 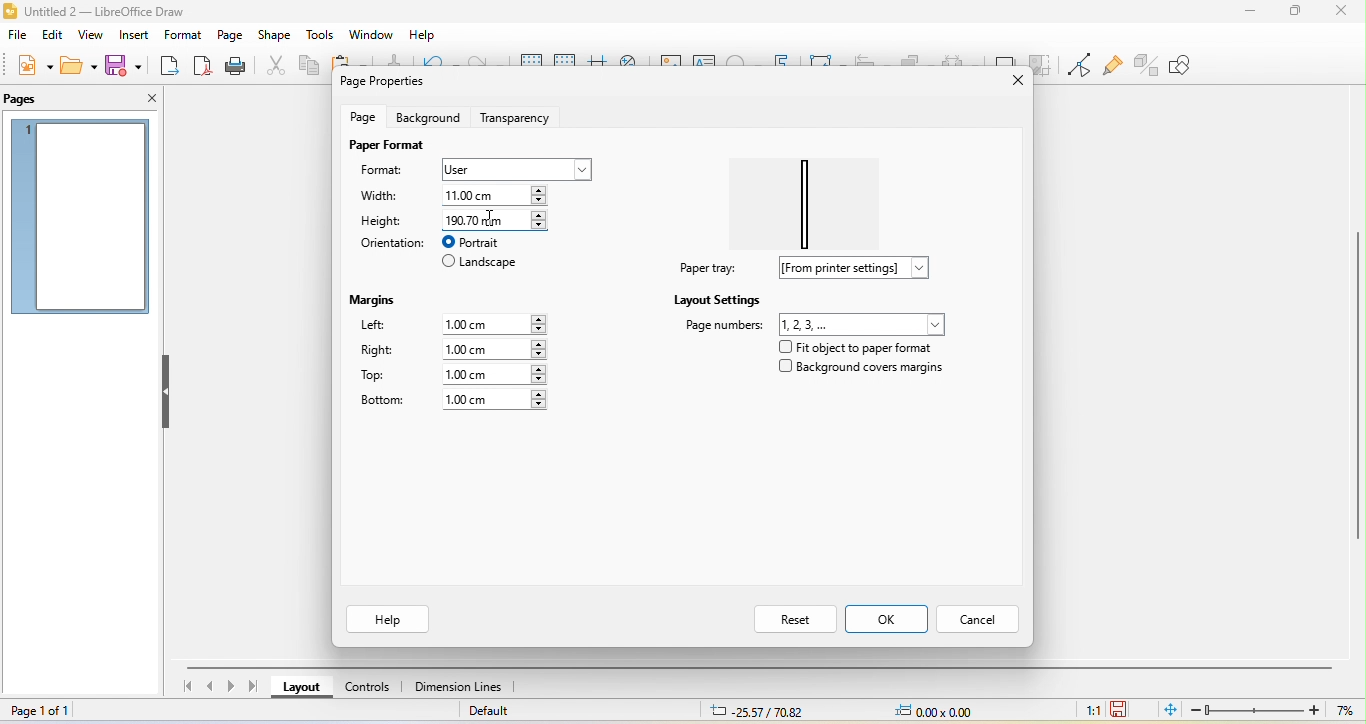 What do you see at coordinates (366, 116) in the screenshot?
I see `page` at bounding box center [366, 116].